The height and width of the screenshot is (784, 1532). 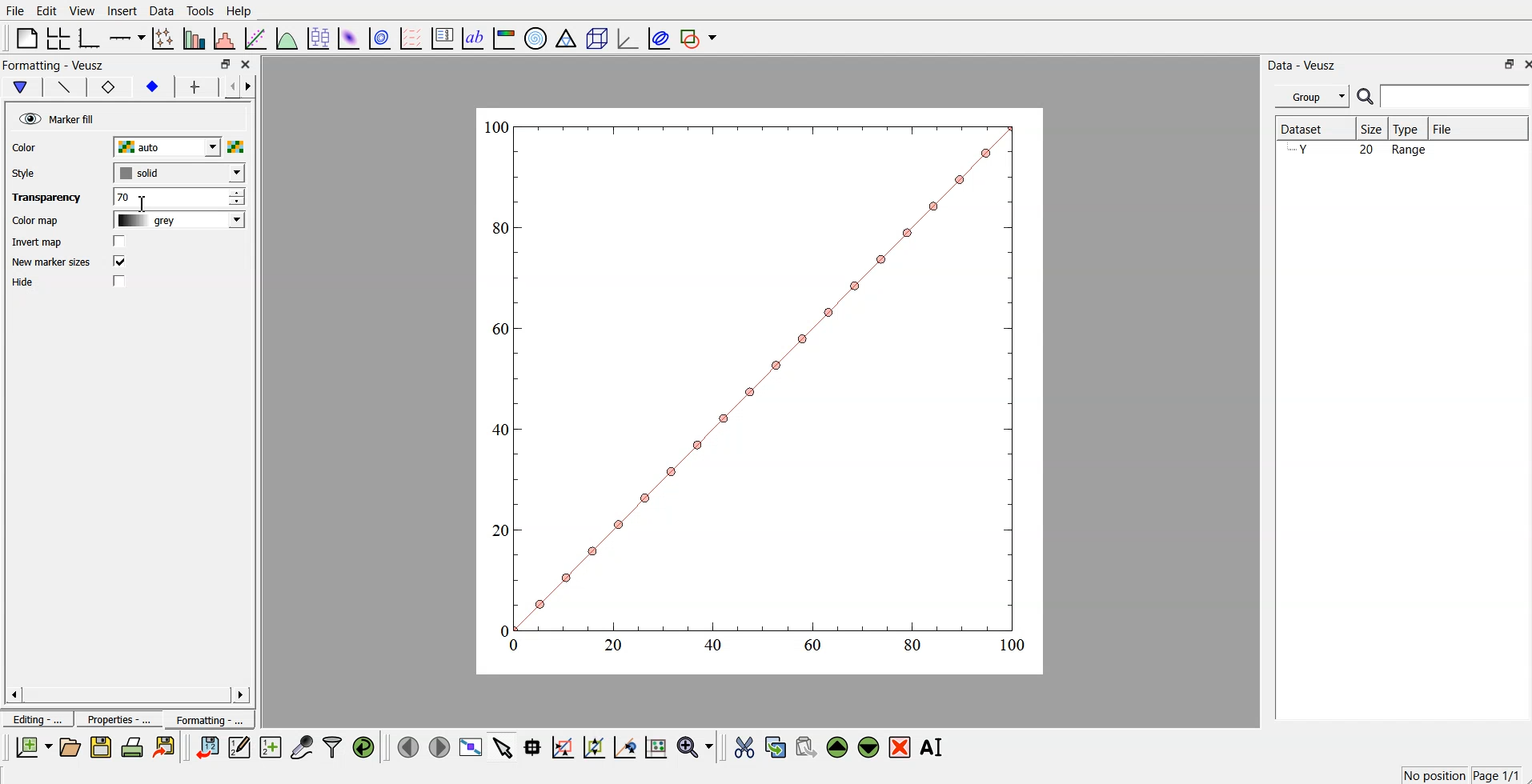 I want to click on line tool, so click(x=60, y=86).